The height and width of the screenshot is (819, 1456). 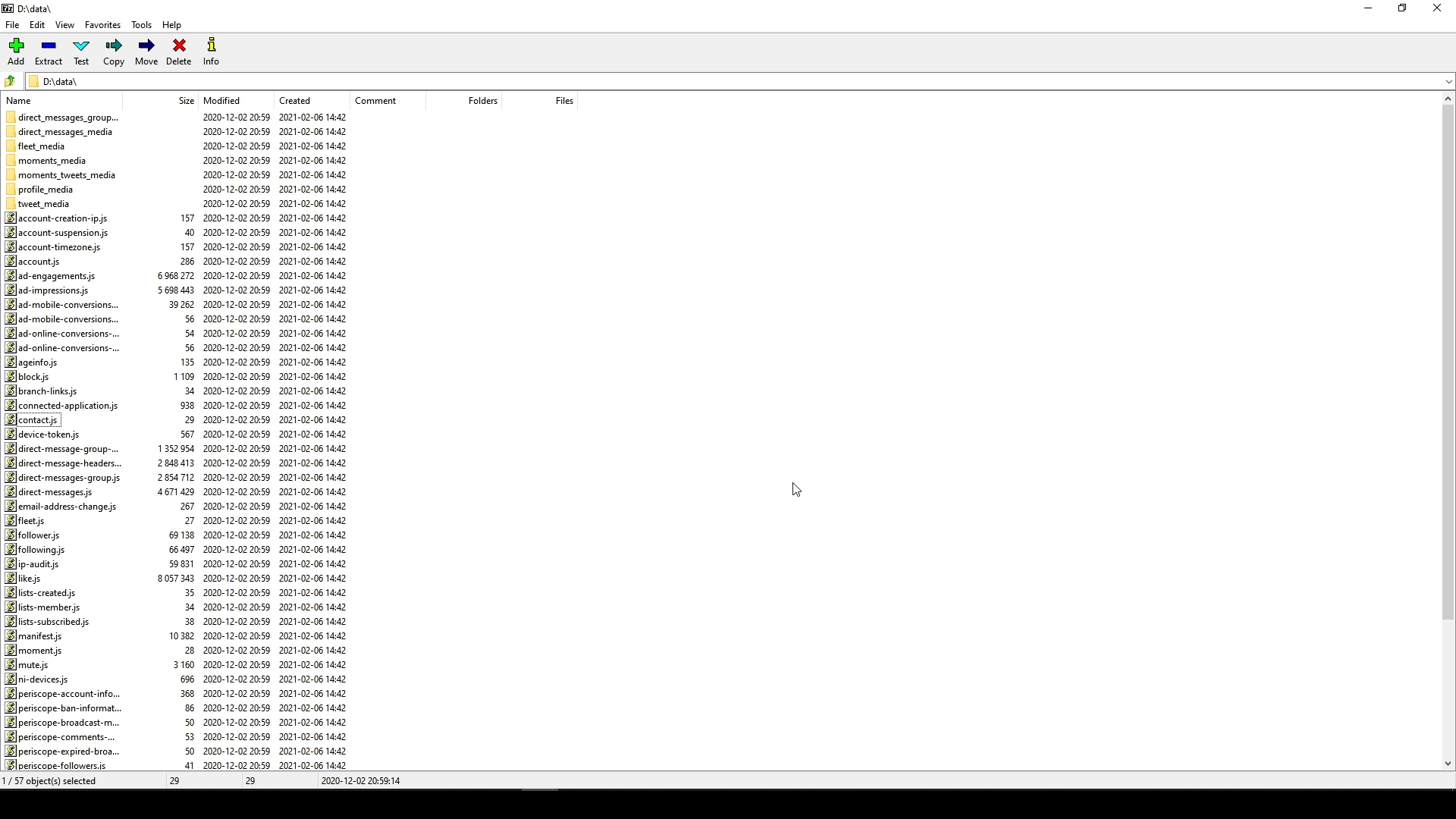 What do you see at coordinates (52, 158) in the screenshot?
I see `moments_media` at bounding box center [52, 158].